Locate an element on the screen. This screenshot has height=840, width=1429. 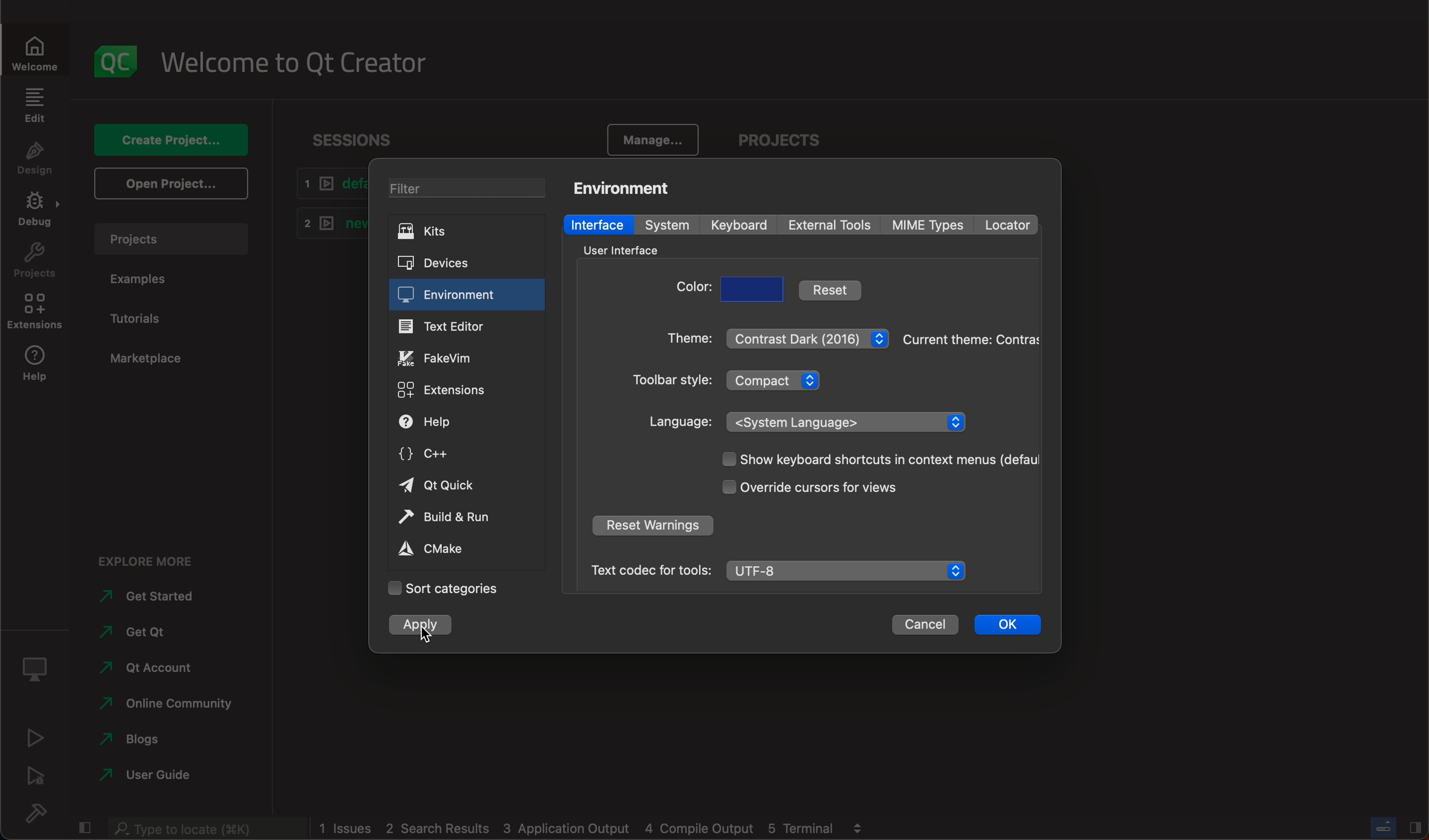
extensions is located at coordinates (38, 315).